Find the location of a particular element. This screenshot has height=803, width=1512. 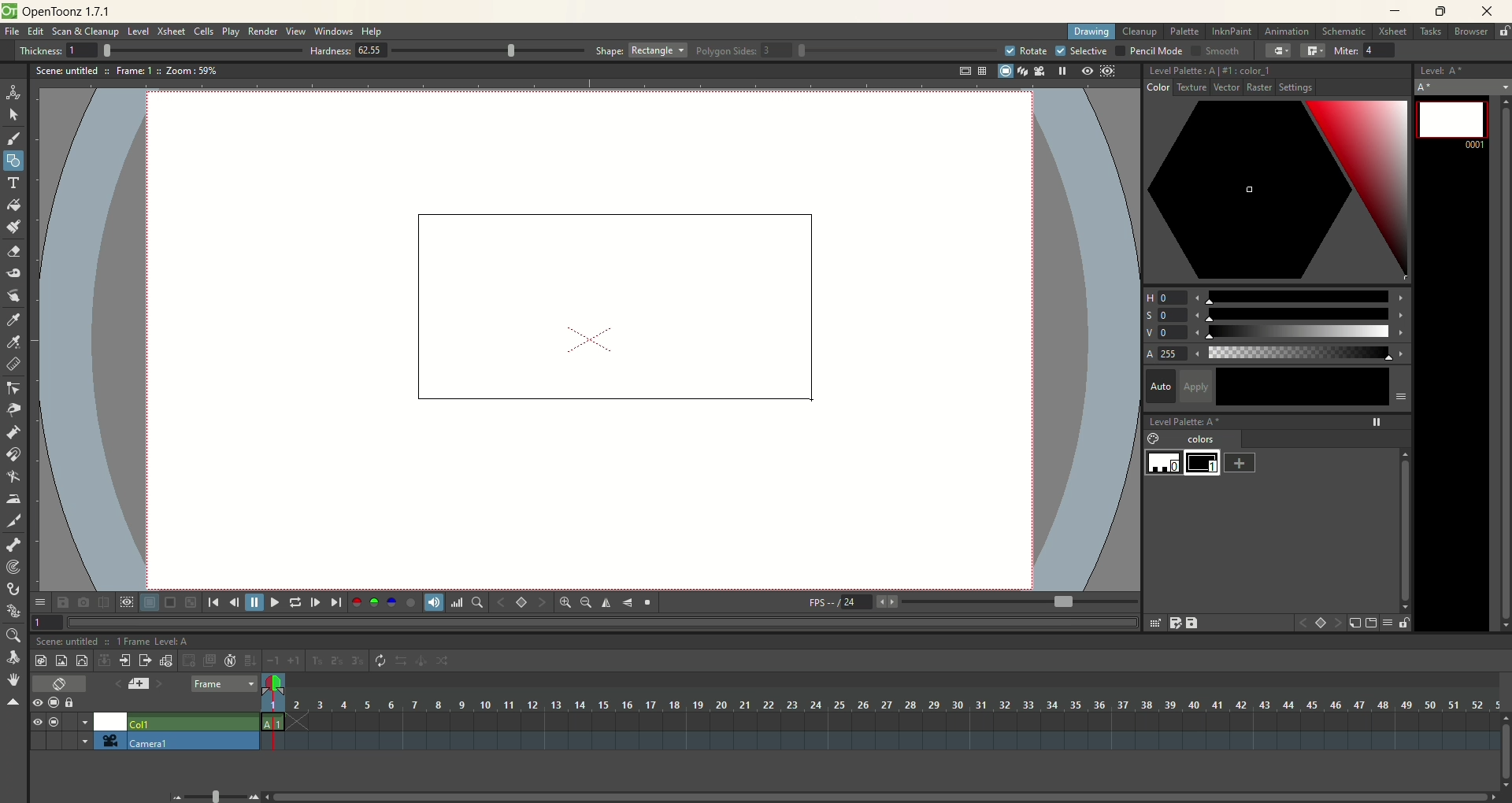

task is located at coordinates (1429, 35).